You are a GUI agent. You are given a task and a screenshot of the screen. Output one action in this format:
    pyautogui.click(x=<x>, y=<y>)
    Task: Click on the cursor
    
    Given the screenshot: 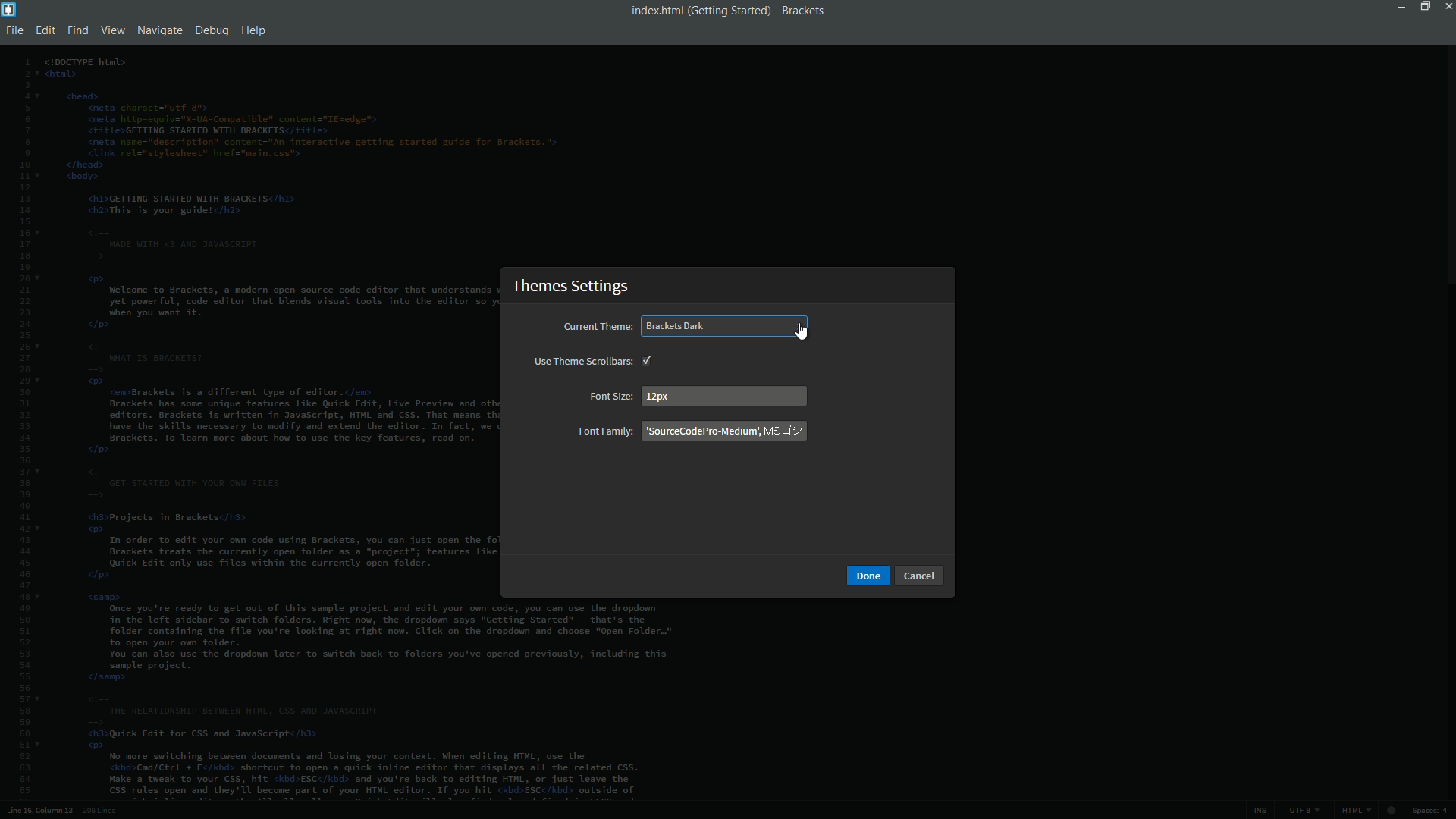 What is the action you would take?
    pyautogui.click(x=801, y=332)
    